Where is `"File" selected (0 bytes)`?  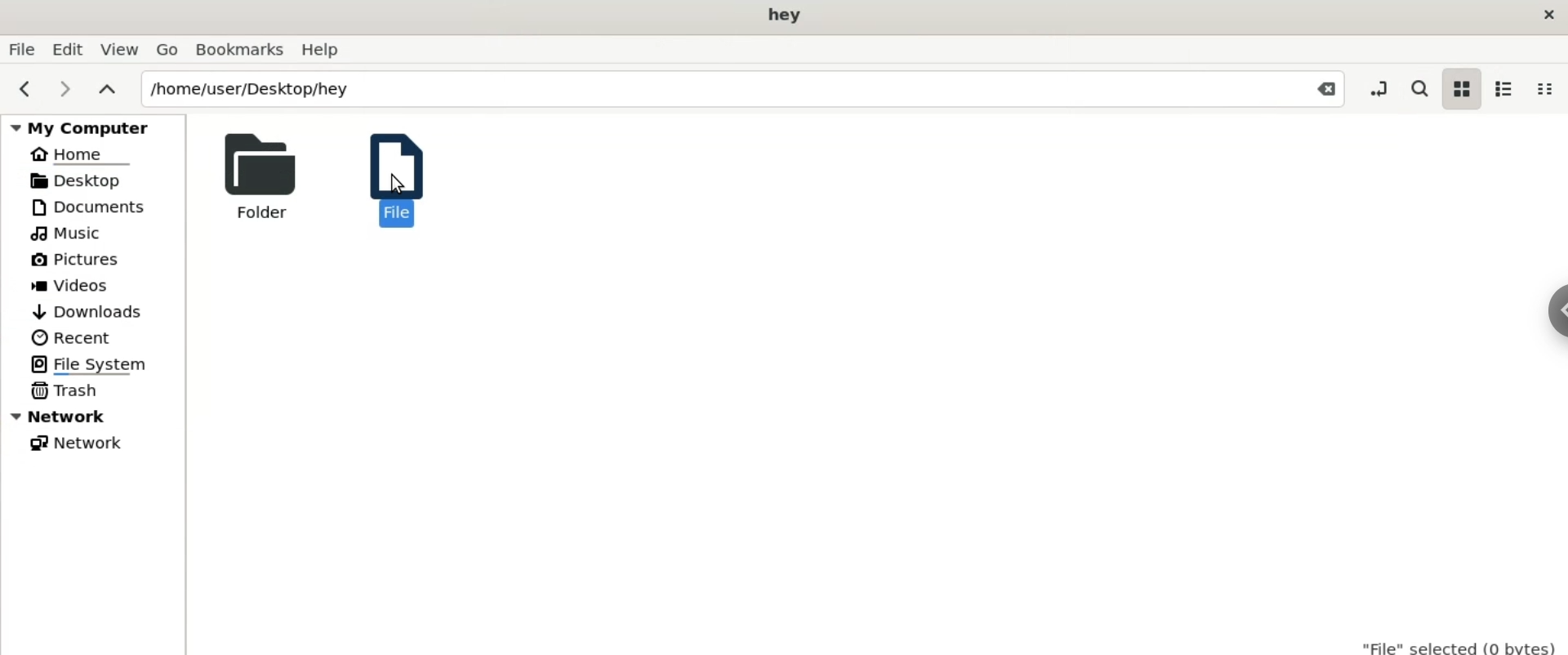 "File" selected (0 bytes) is located at coordinates (1460, 644).